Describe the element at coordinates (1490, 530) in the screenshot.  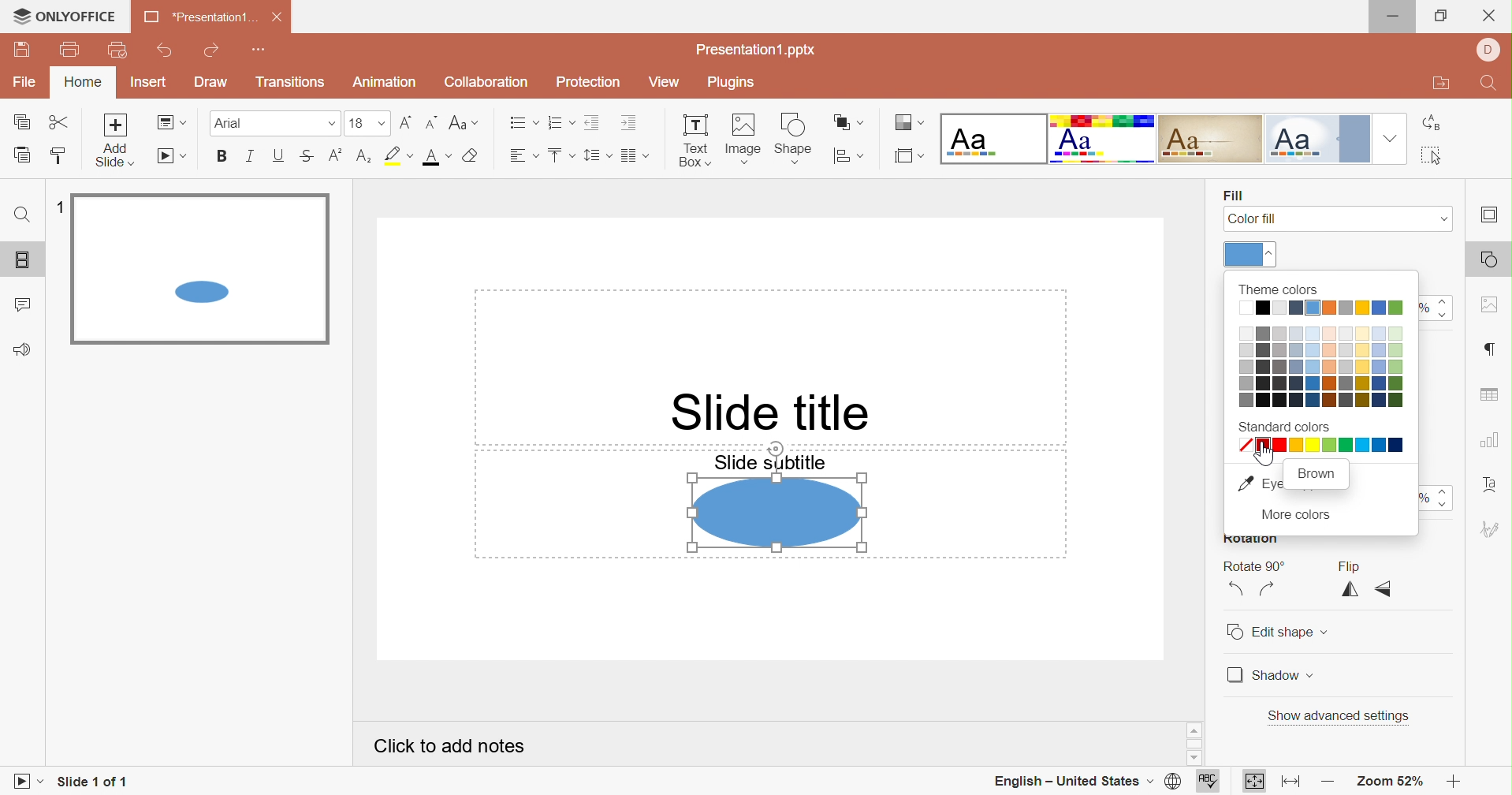
I see `Signature settings` at that location.